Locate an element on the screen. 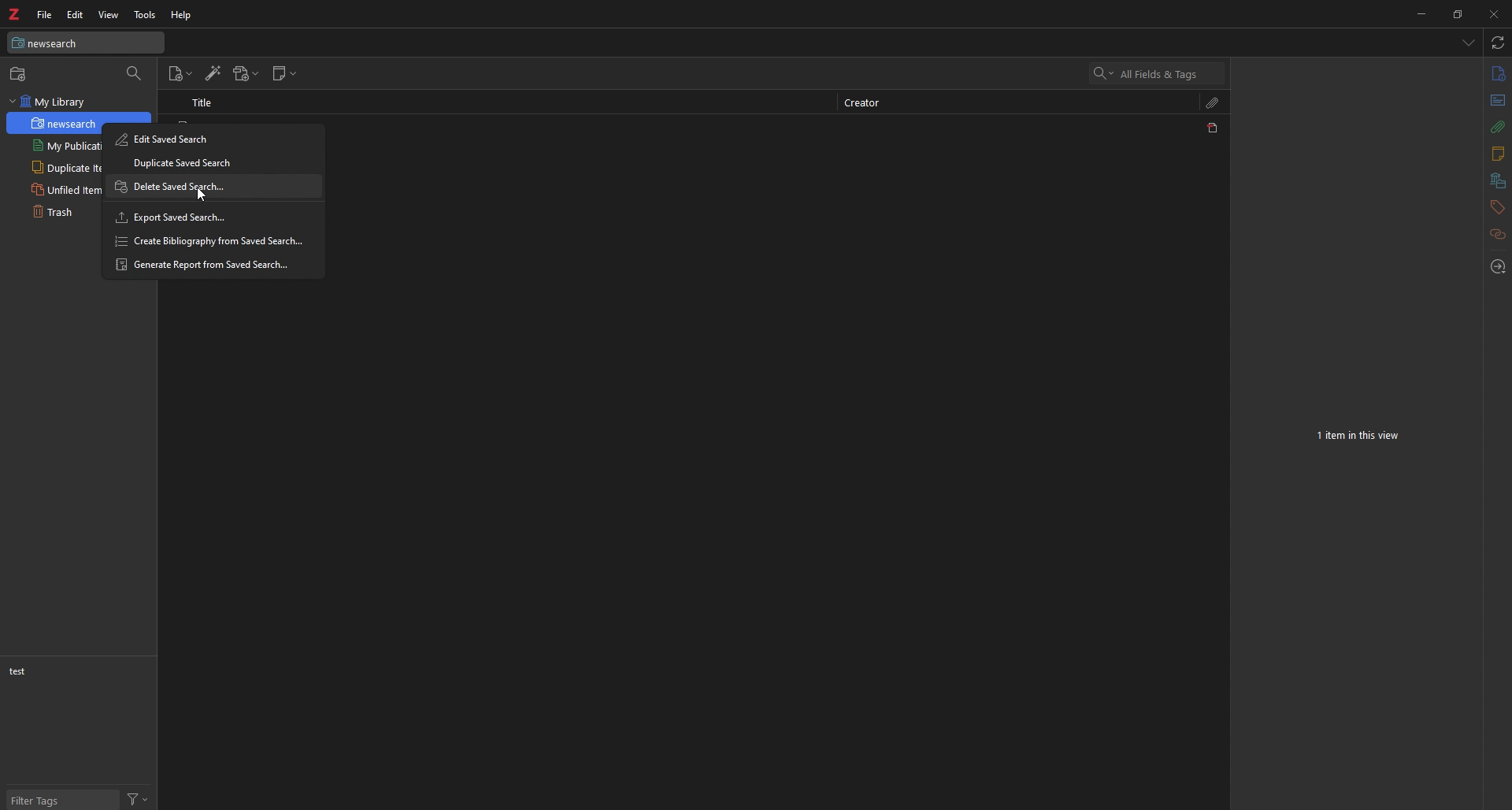 The width and height of the screenshot is (1512, 810). minimize is located at coordinates (1425, 13).